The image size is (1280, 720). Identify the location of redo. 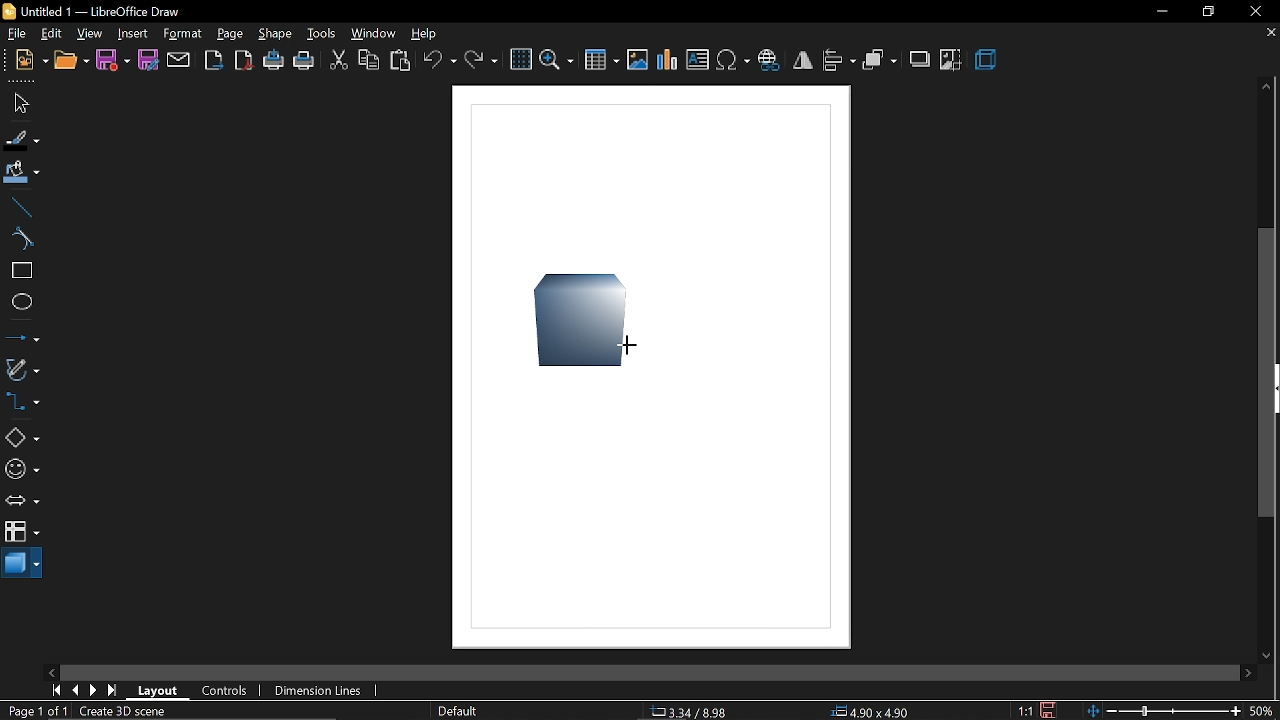
(481, 61).